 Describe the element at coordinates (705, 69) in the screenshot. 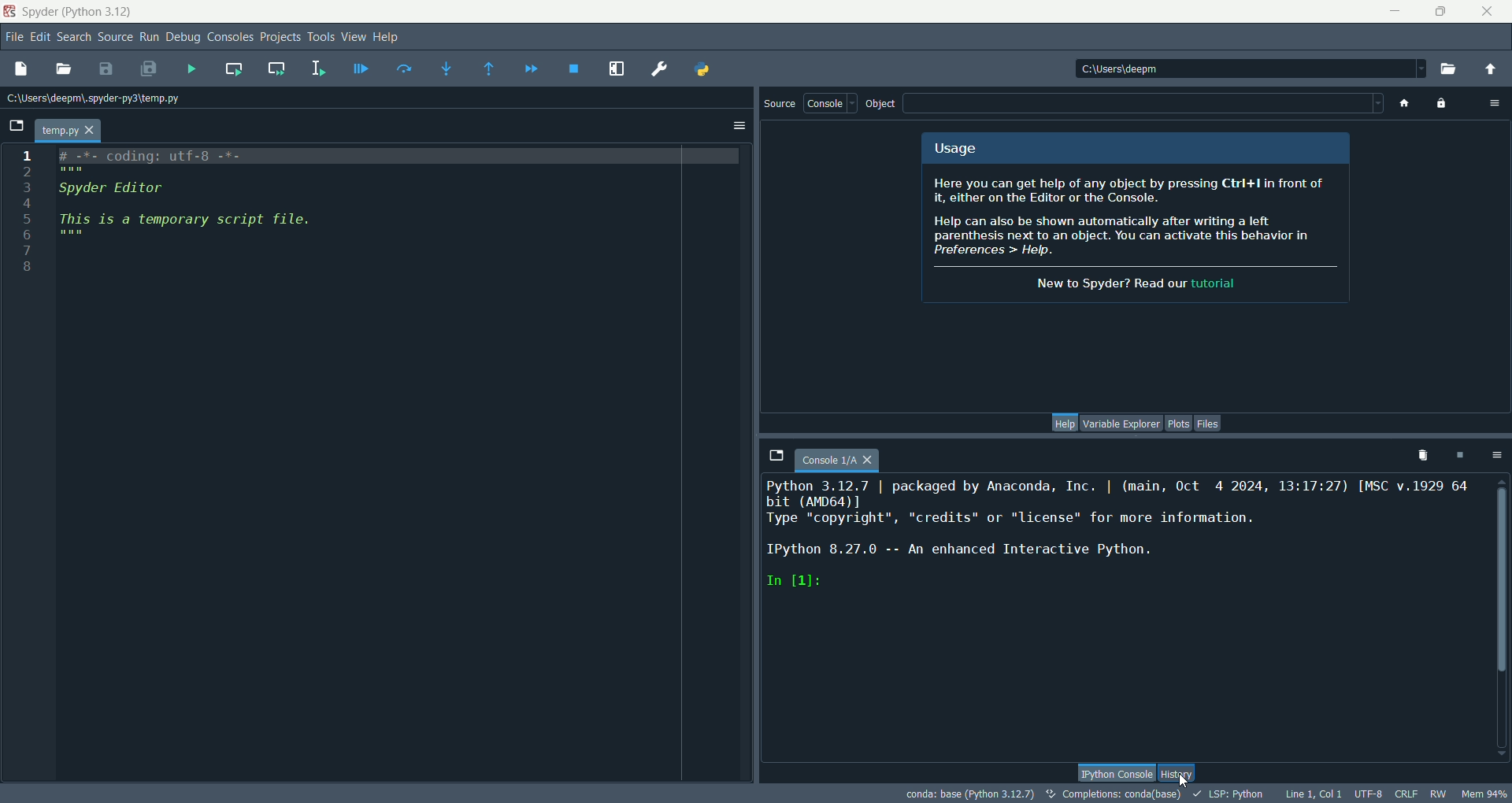

I see `PYHTONPATH manager` at that location.